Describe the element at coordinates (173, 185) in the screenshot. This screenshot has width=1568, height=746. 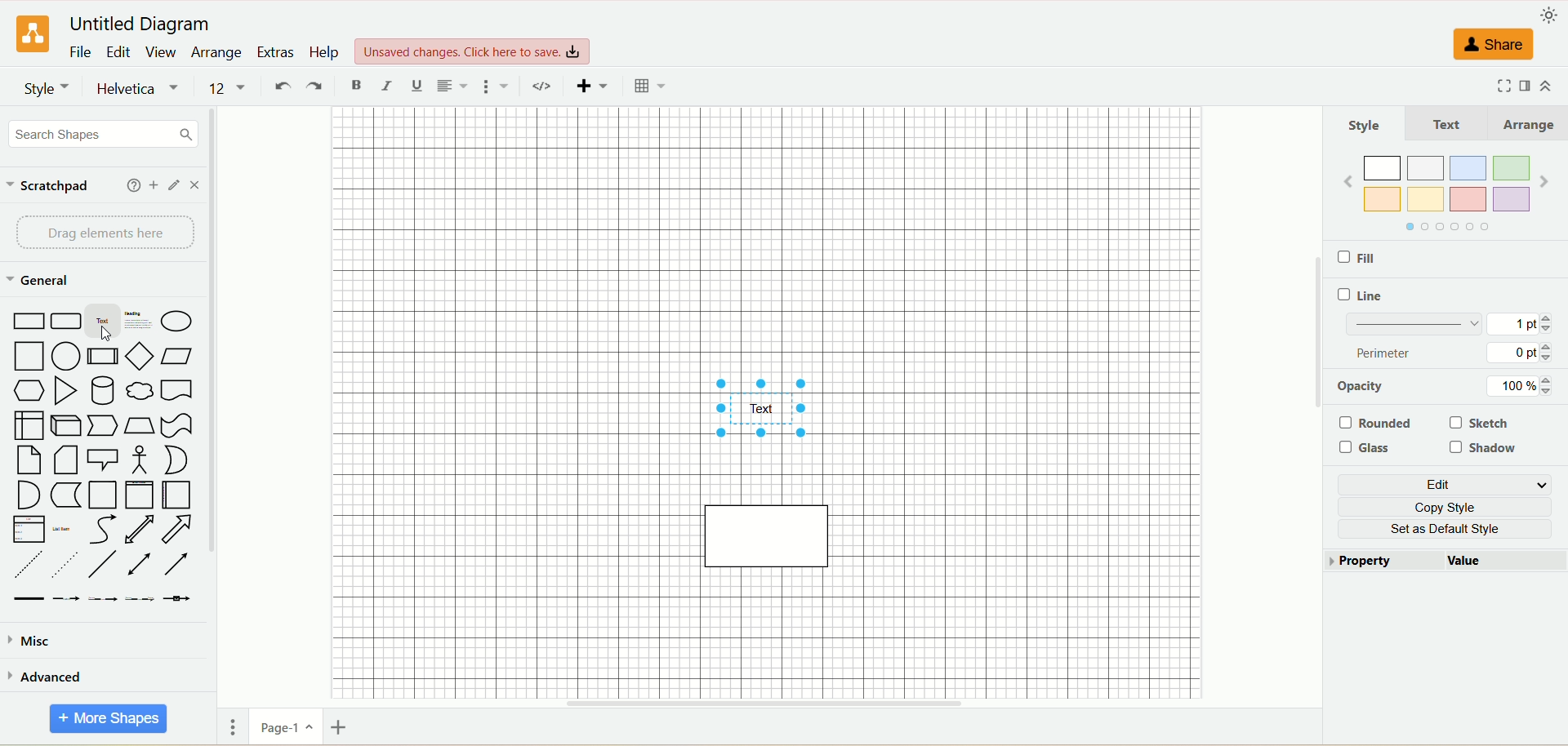
I see `edit` at that location.